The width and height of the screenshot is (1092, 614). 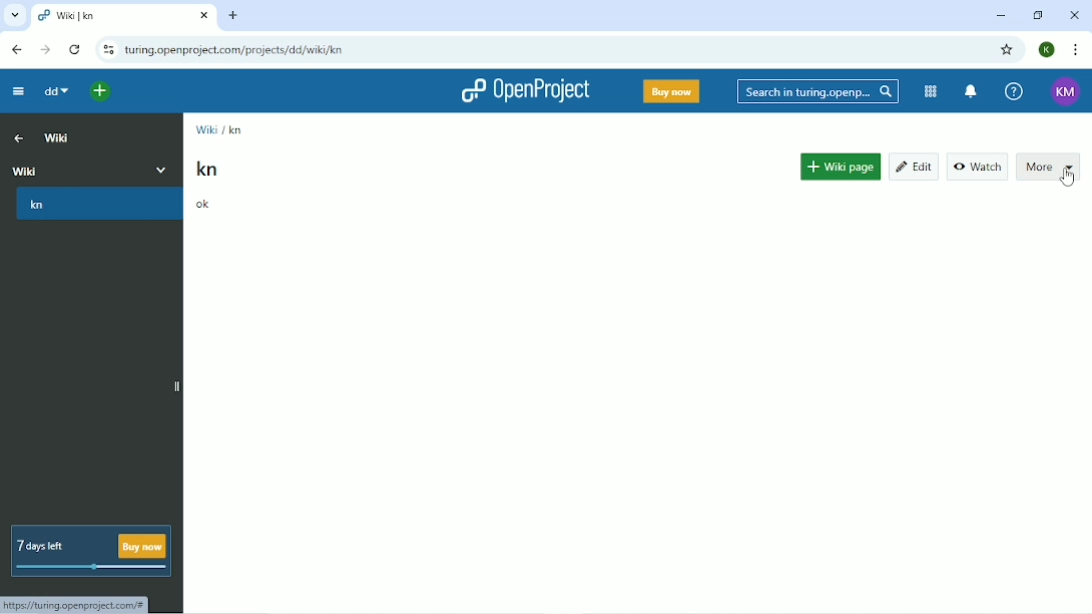 What do you see at coordinates (16, 50) in the screenshot?
I see `Back` at bounding box center [16, 50].